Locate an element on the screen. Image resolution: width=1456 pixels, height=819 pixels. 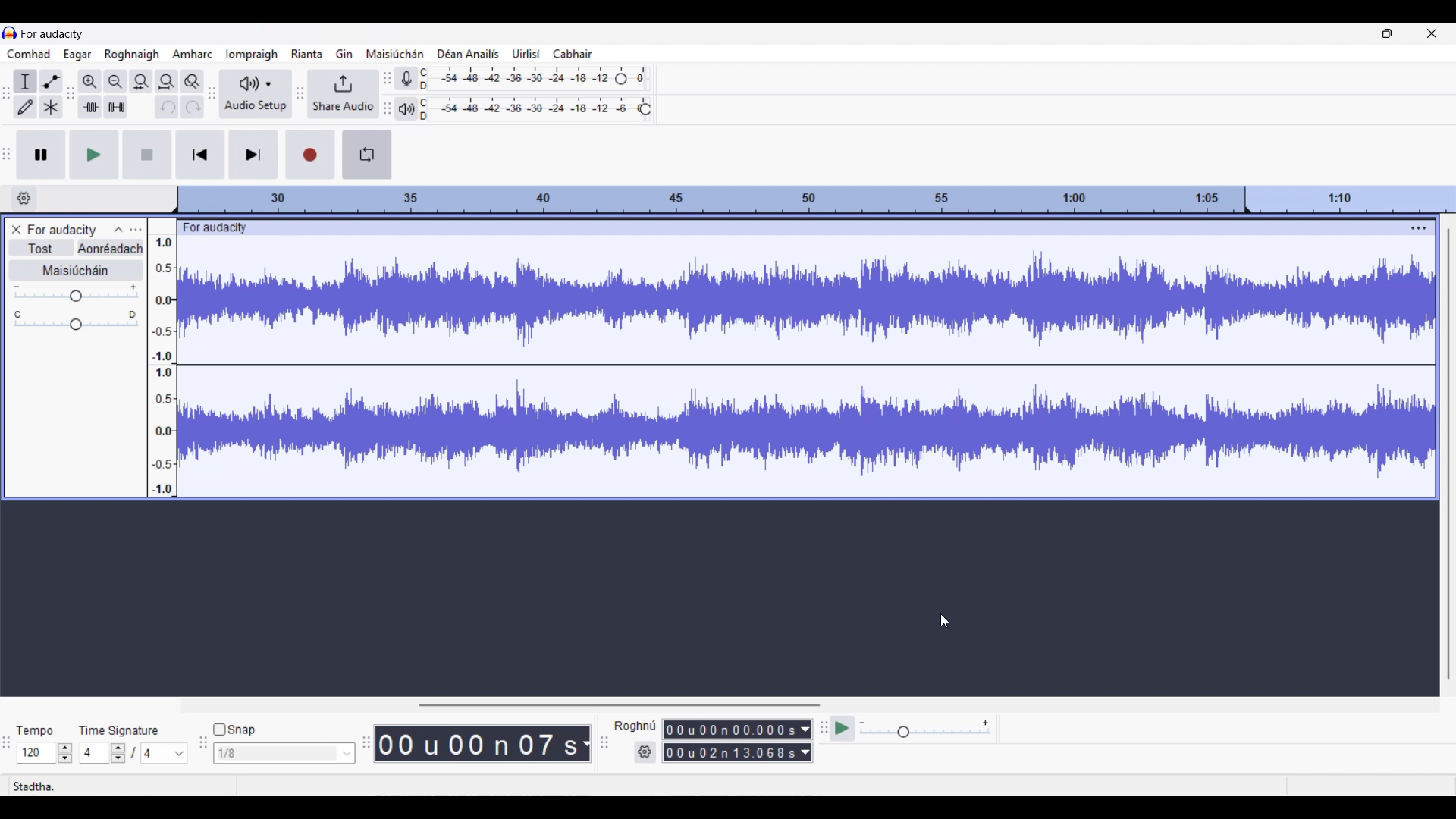
Volume scale is located at coordinates (76, 293).